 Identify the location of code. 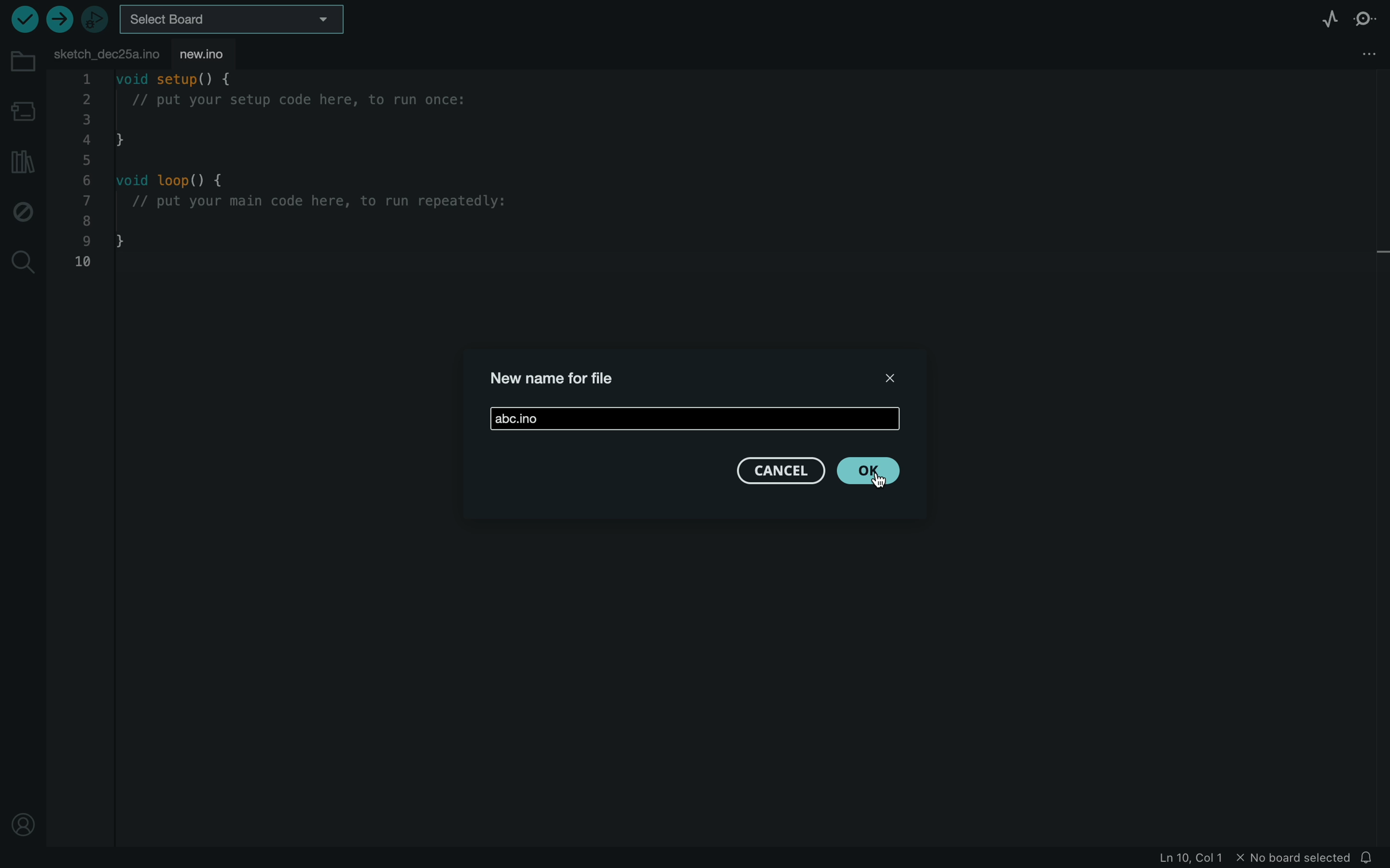
(314, 177).